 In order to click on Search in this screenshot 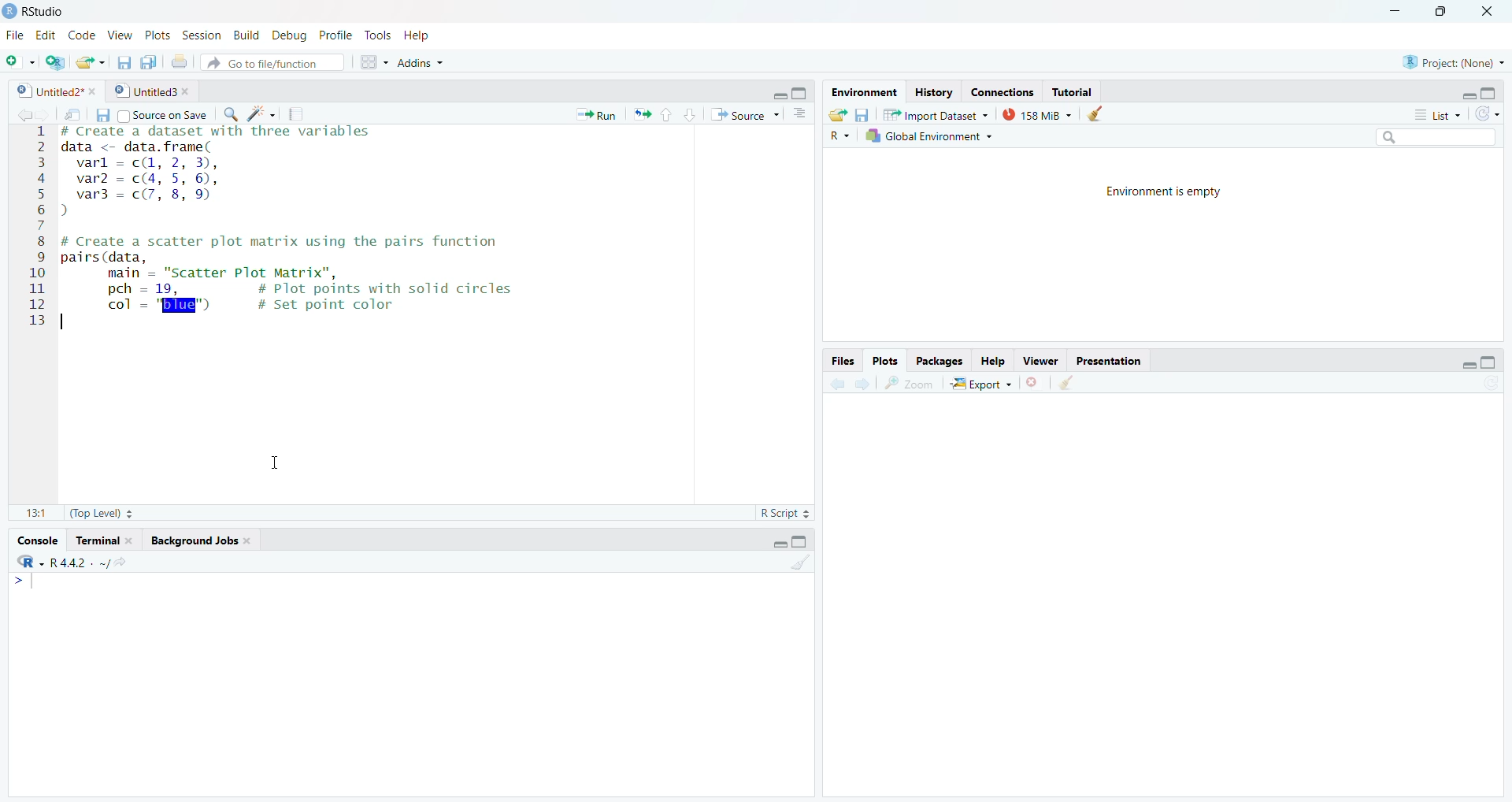, I will do `click(1441, 135)`.